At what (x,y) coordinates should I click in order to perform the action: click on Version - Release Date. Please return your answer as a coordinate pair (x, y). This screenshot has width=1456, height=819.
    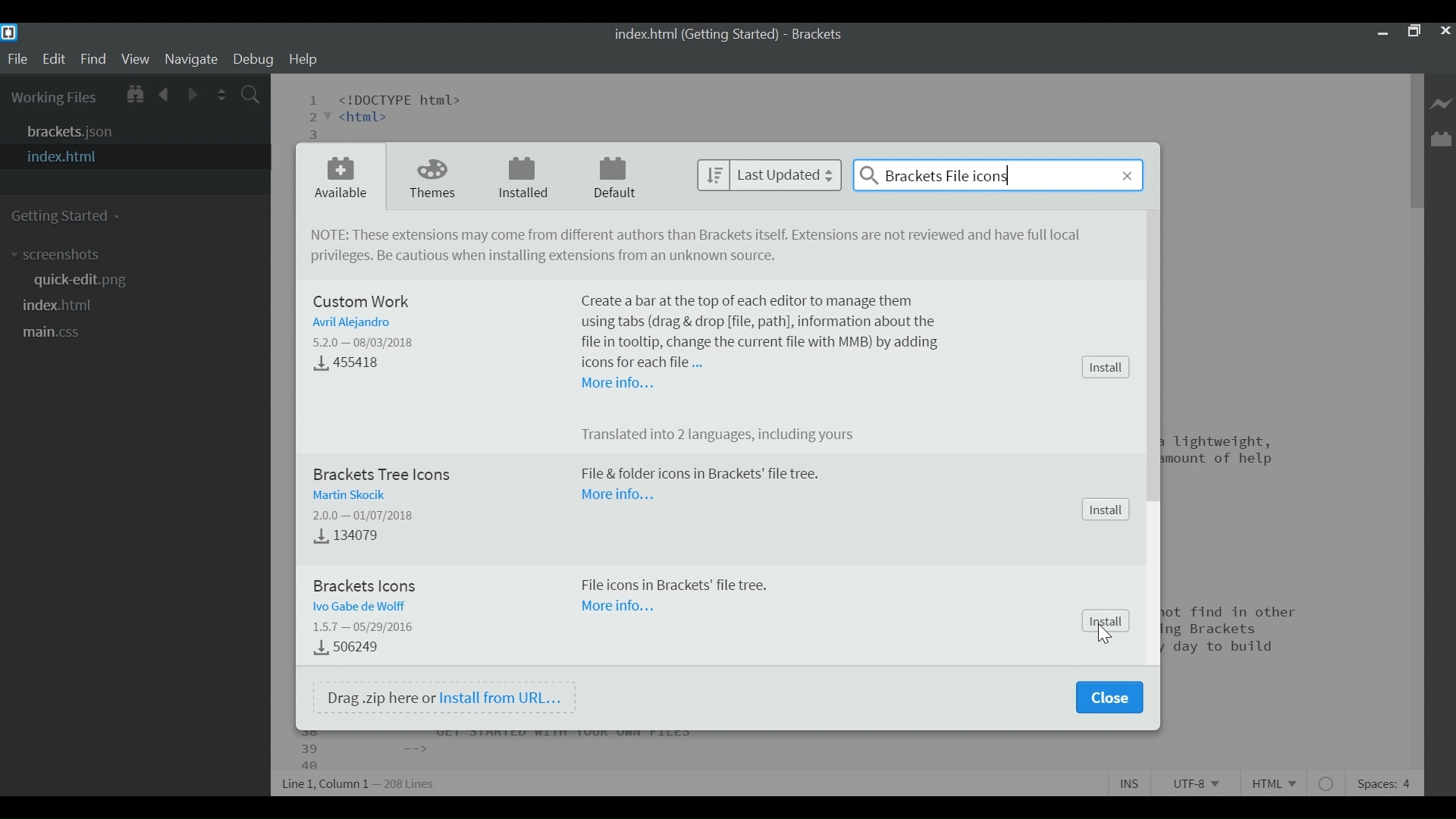
    Looking at the image, I should click on (366, 628).